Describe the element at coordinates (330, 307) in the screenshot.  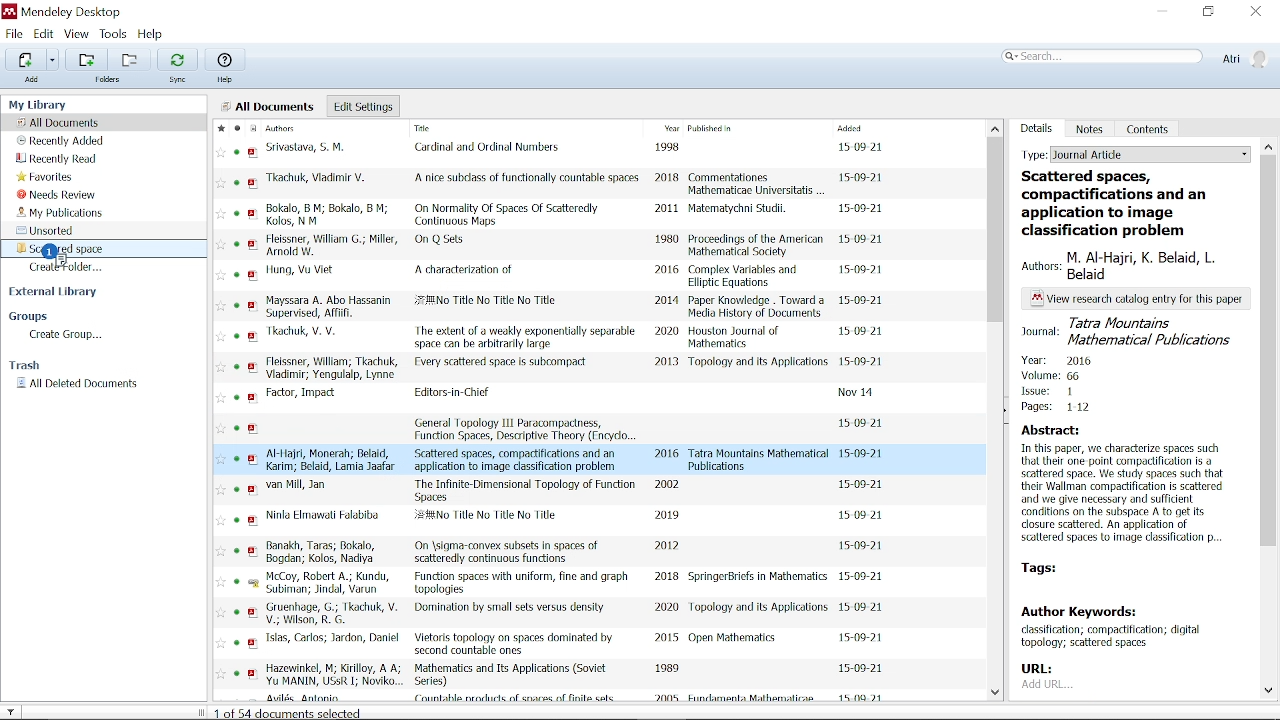
I see `authors` at that location.